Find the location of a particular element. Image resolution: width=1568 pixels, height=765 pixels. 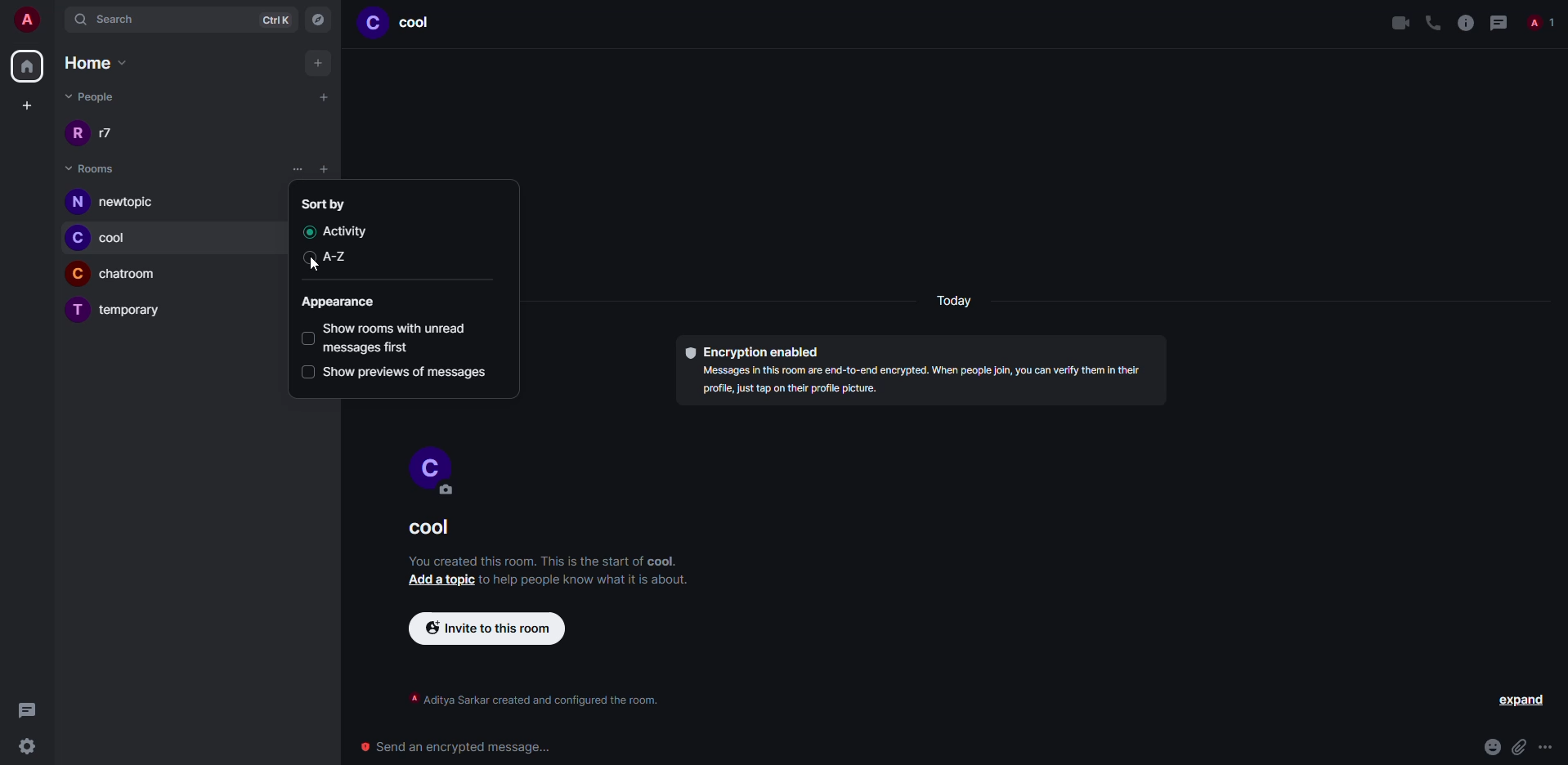

info is located at coordinates (1463, 22).